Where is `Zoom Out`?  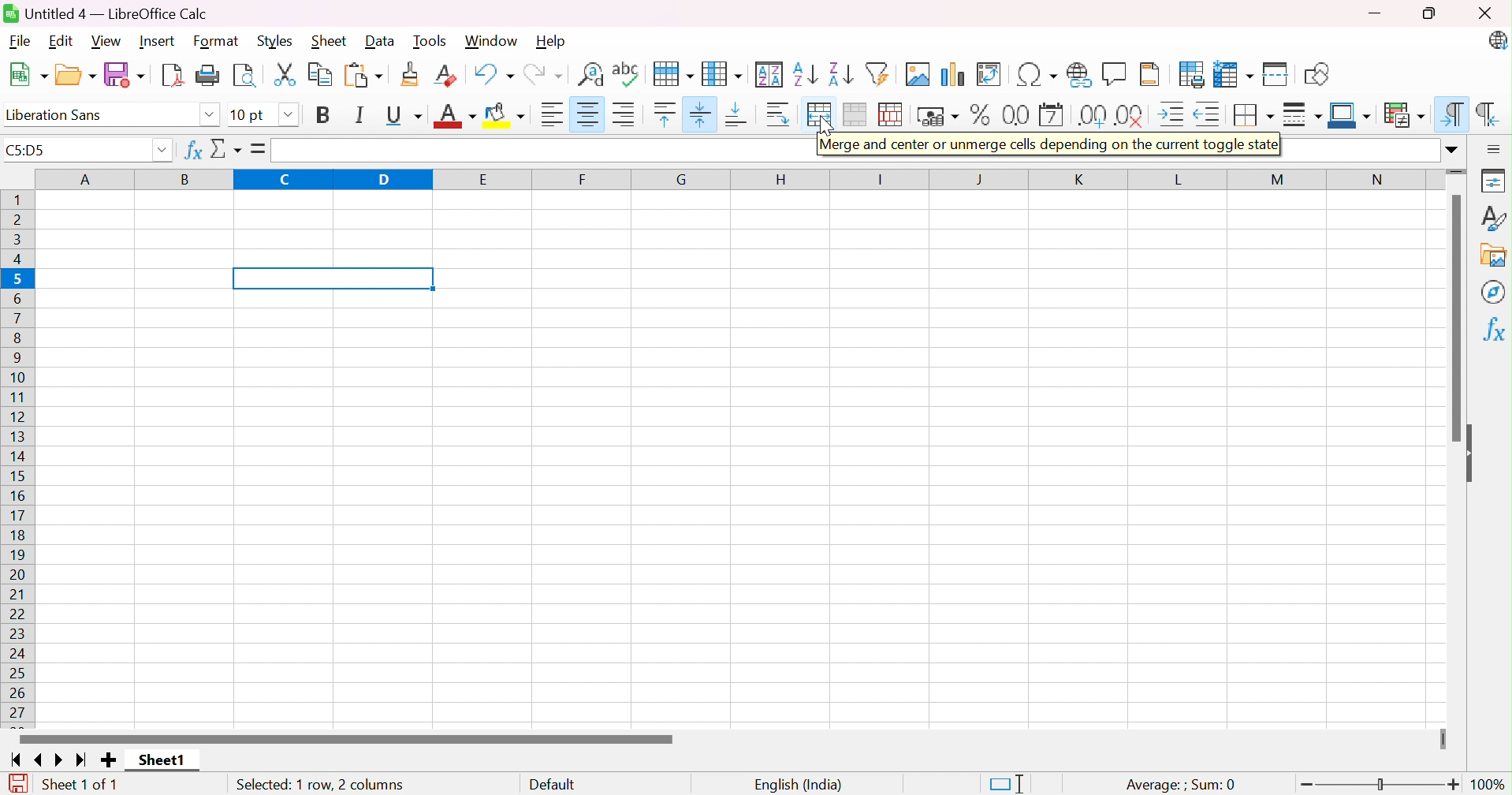 Zoom Out is located at coordinates (1309, 785).